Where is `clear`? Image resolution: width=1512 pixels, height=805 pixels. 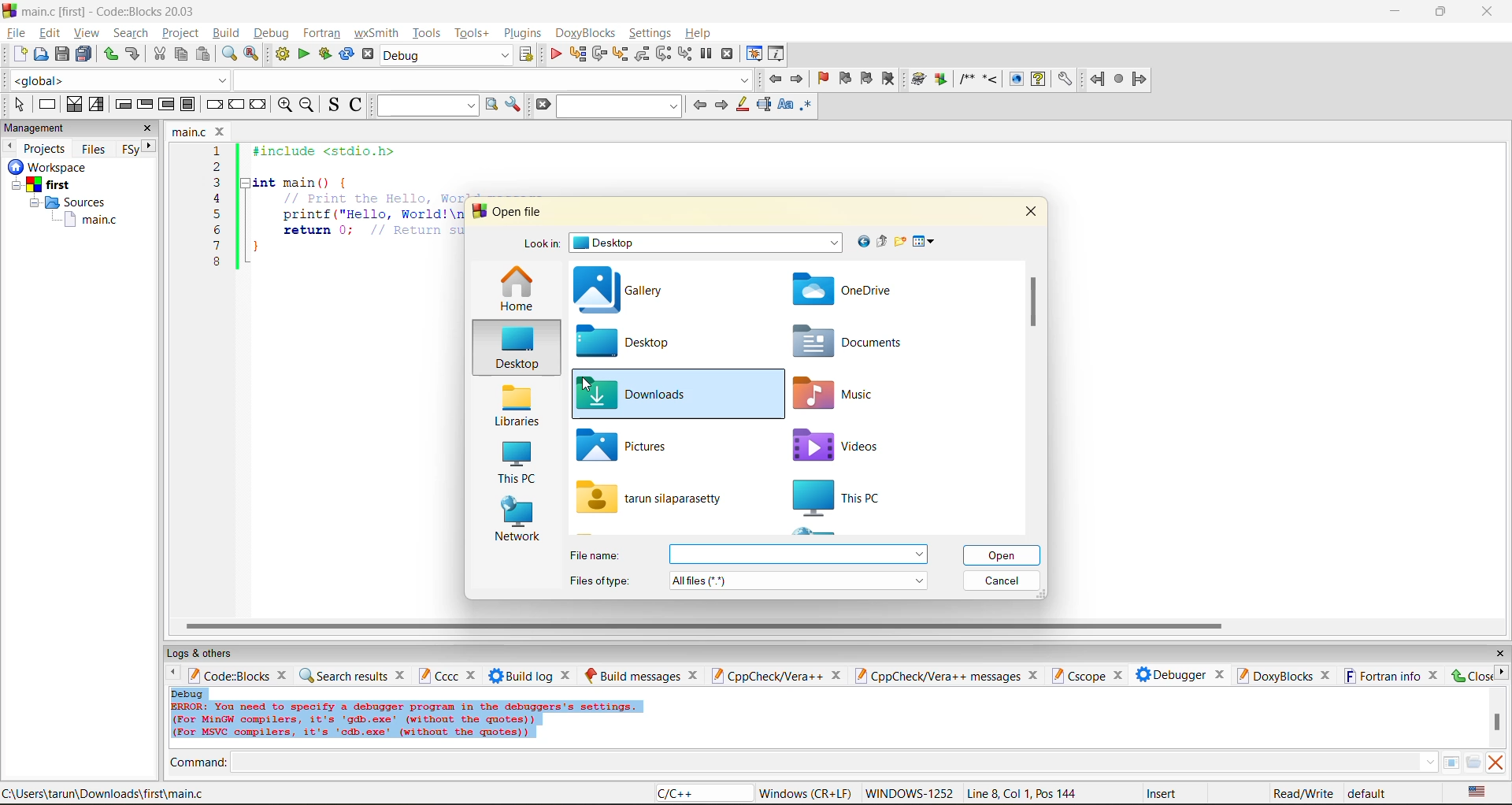 clear is located at coordinates (542, 105).